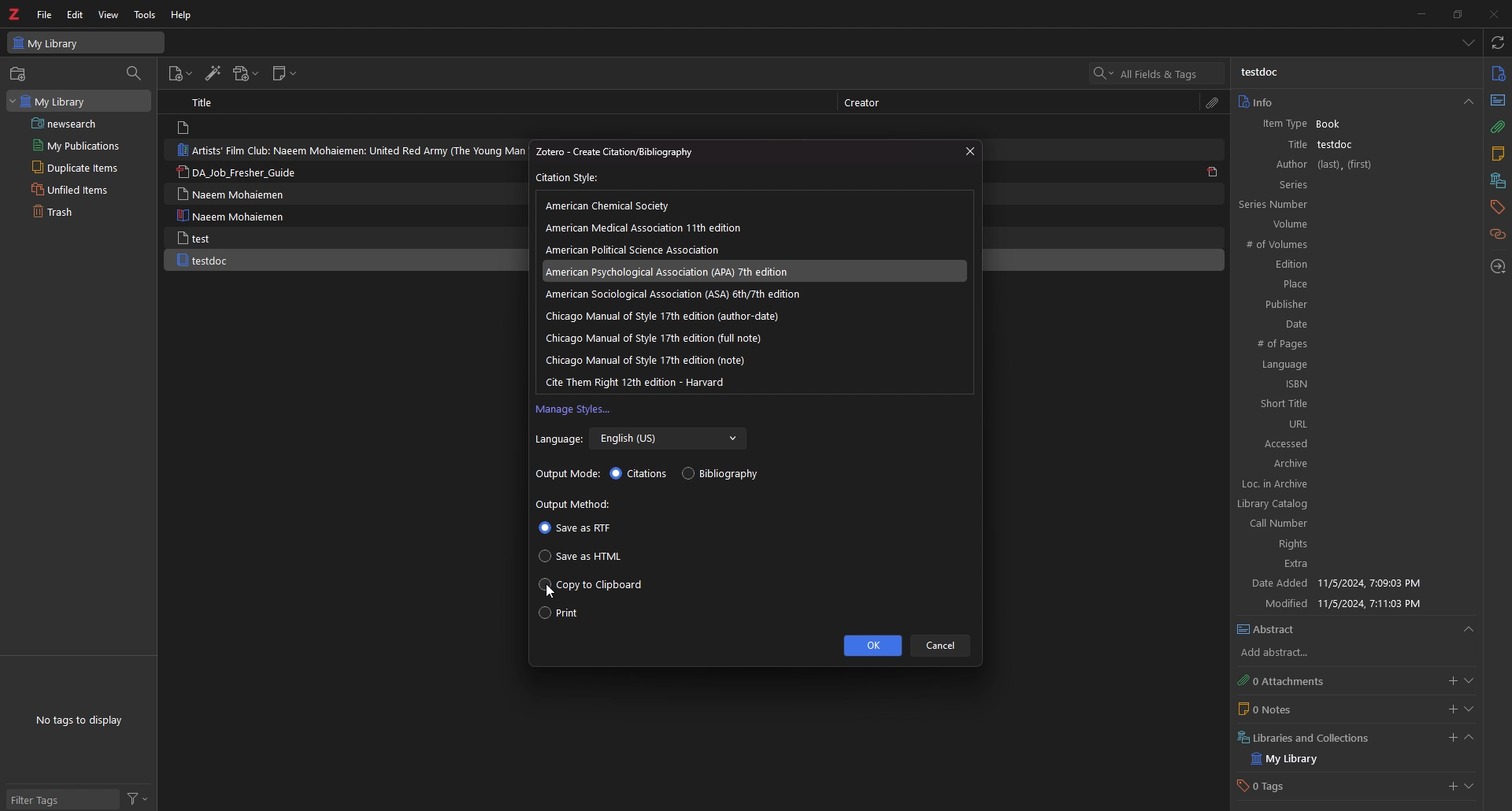 This screenshot has height=811, width=1512. What do you see at coordinates (1344, 265) in the screenshot?
I see `Edition` at bounding box center [1344, 265].